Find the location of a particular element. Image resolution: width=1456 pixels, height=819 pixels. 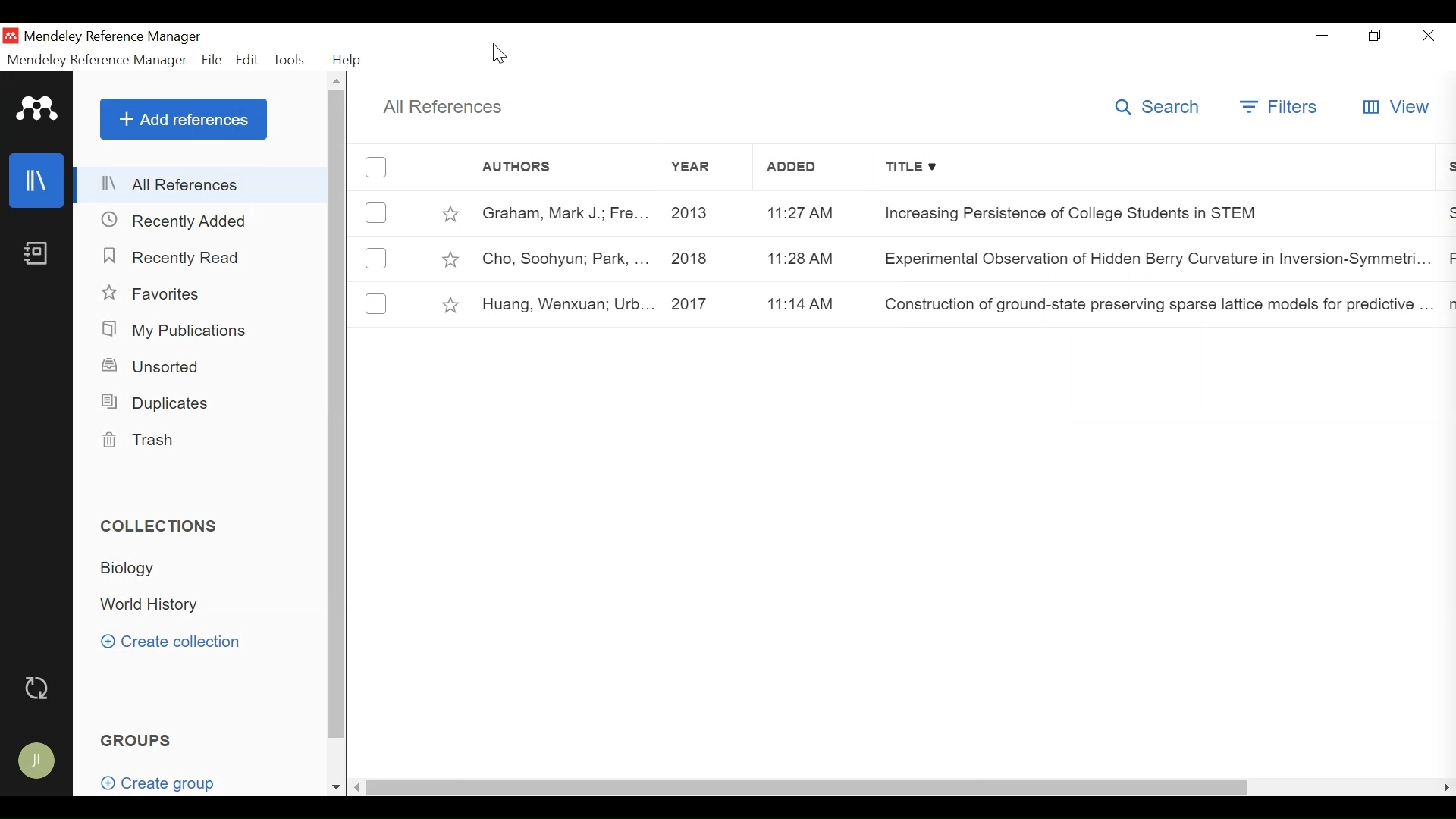

Recently Added is located at coordinates (177, 221).